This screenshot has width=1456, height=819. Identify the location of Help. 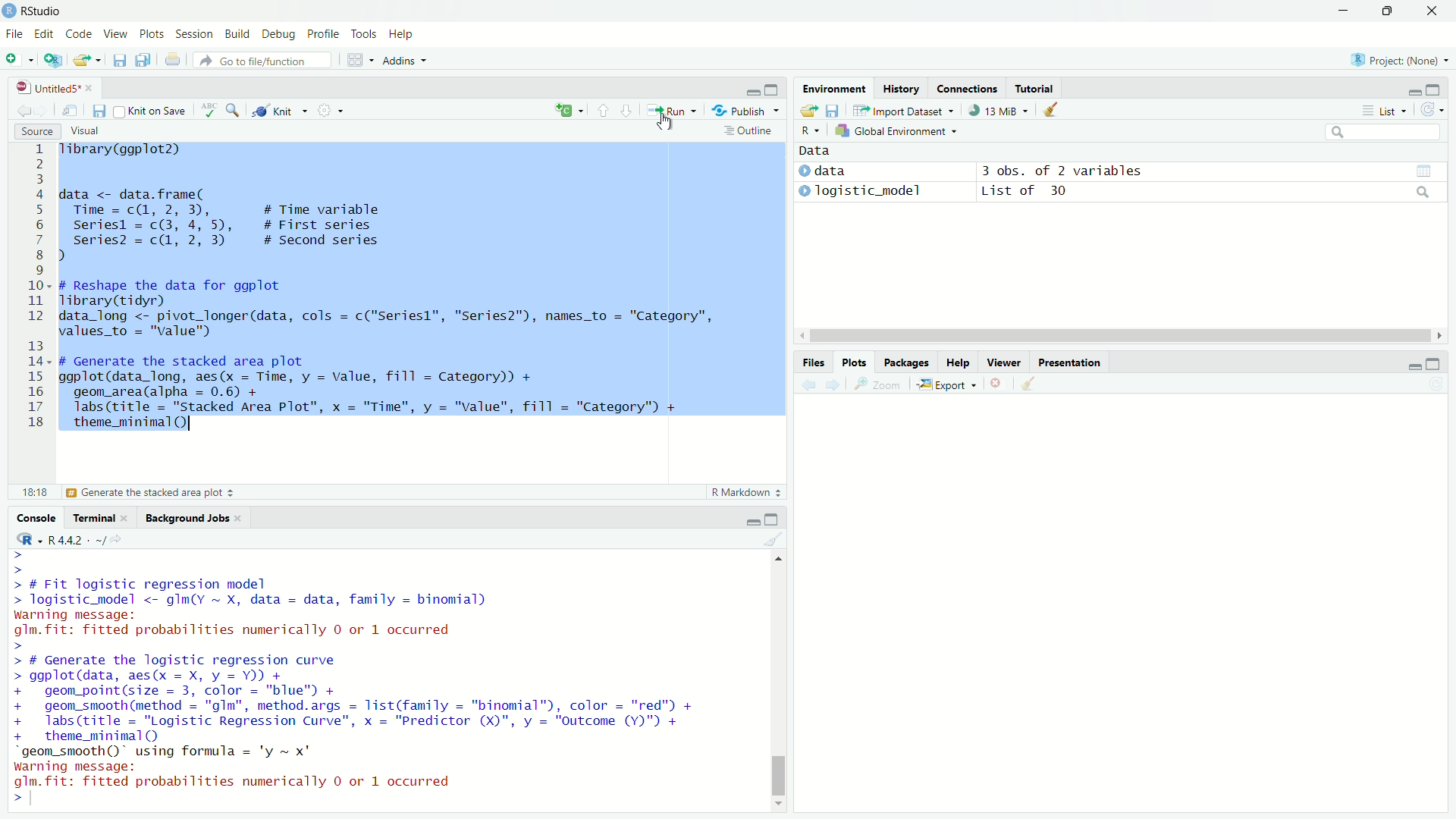
(402, 35).